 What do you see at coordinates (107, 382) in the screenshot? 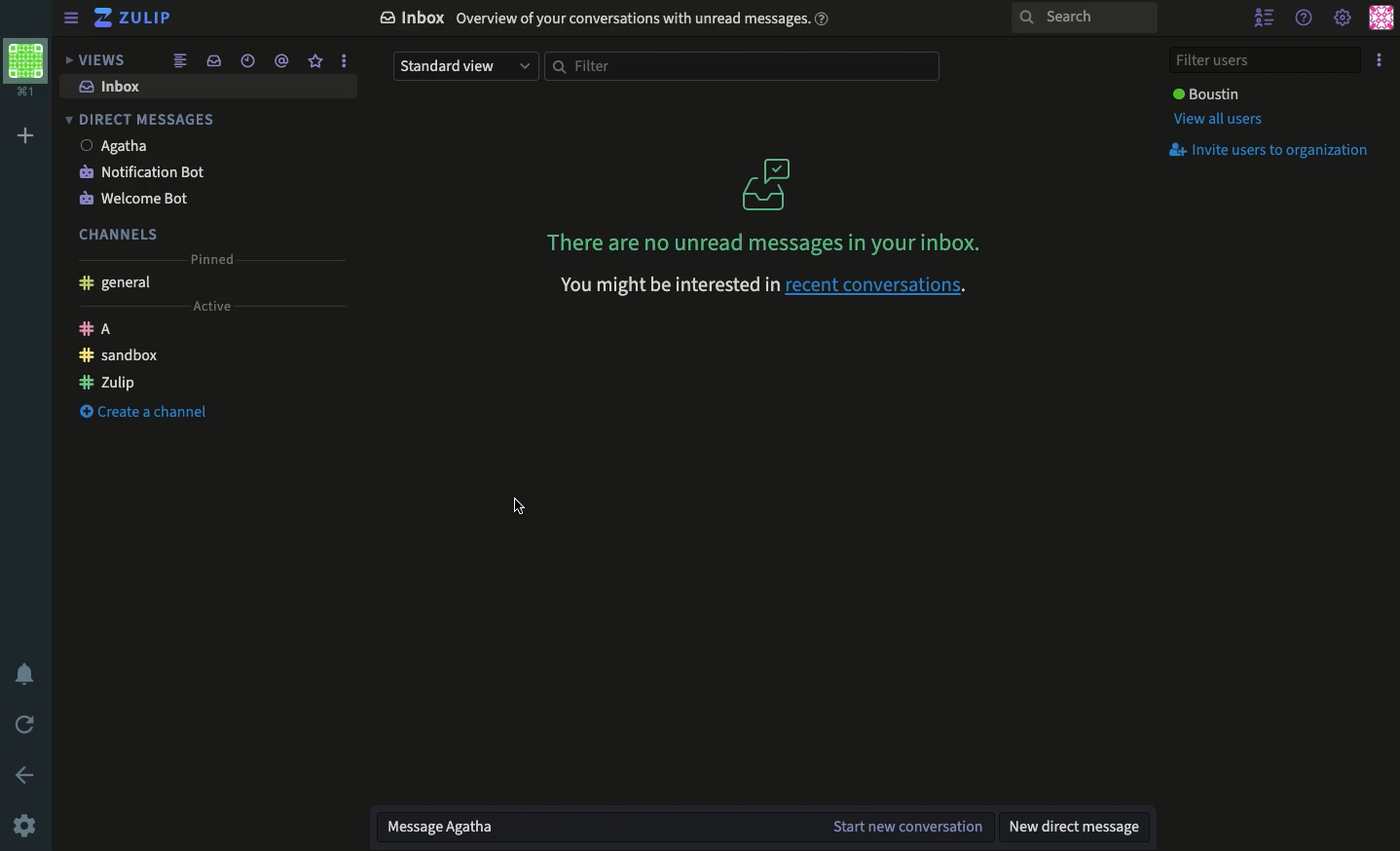
I see `Zulip` at bounding box center [107, 382].